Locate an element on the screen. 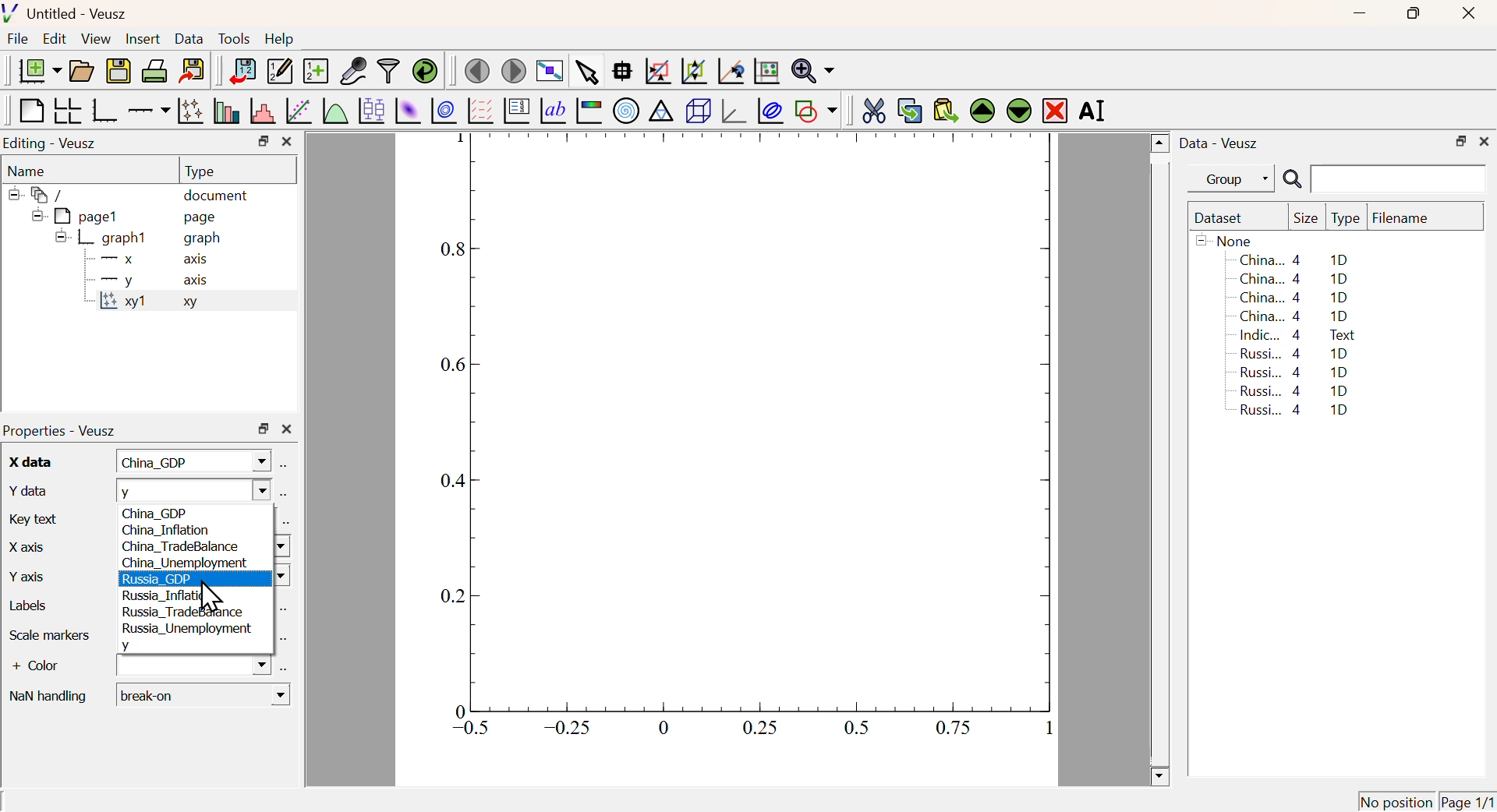 This screenshot has height=812, width=1497. Type is located at coordinates (200, 171).